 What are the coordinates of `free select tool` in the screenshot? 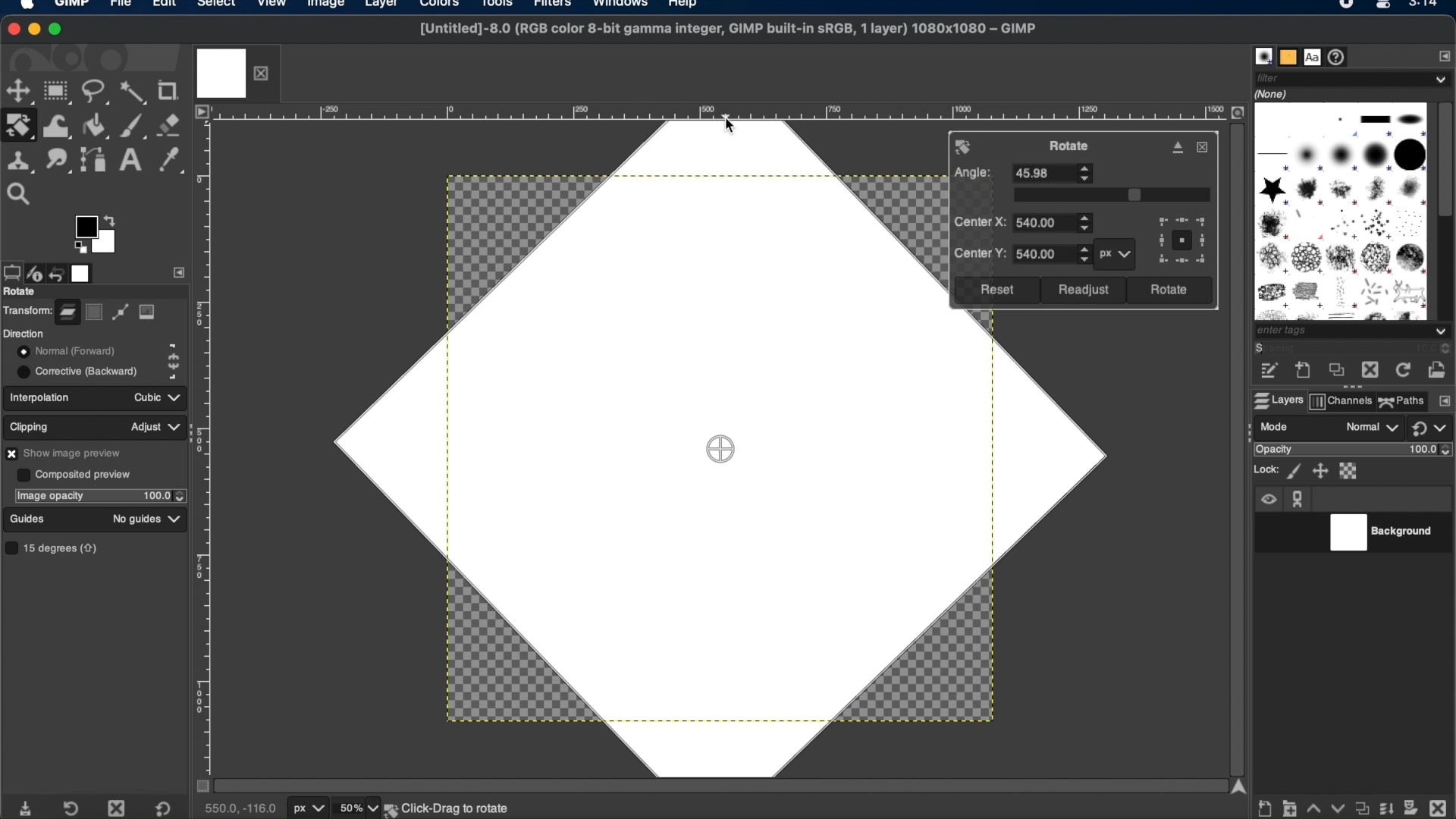 It's located at (96, 93).